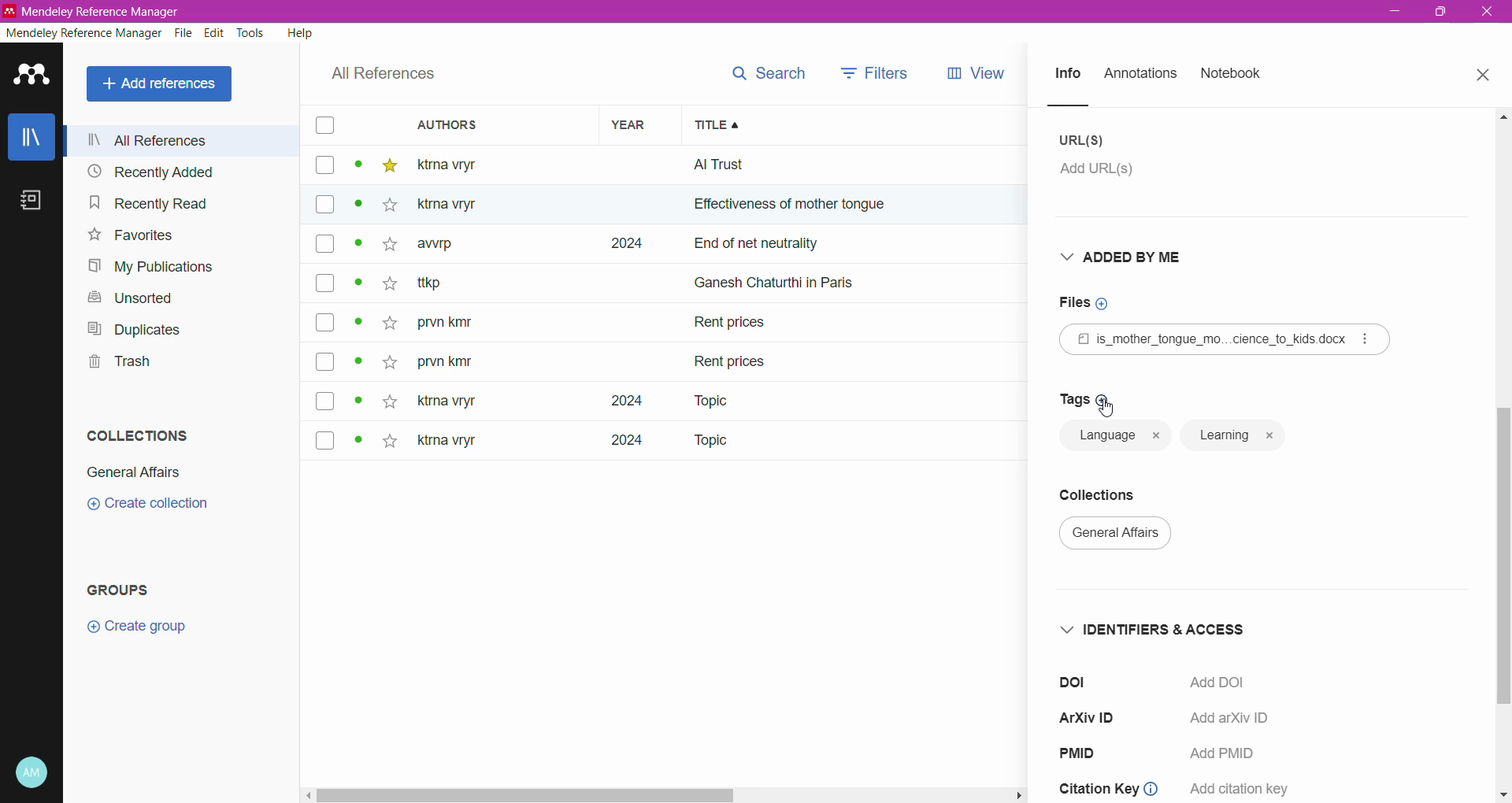 The image size is (1512, 803). Describe the element at coordinates (357, 326) in the screenshot. I see `dot ` at that location.